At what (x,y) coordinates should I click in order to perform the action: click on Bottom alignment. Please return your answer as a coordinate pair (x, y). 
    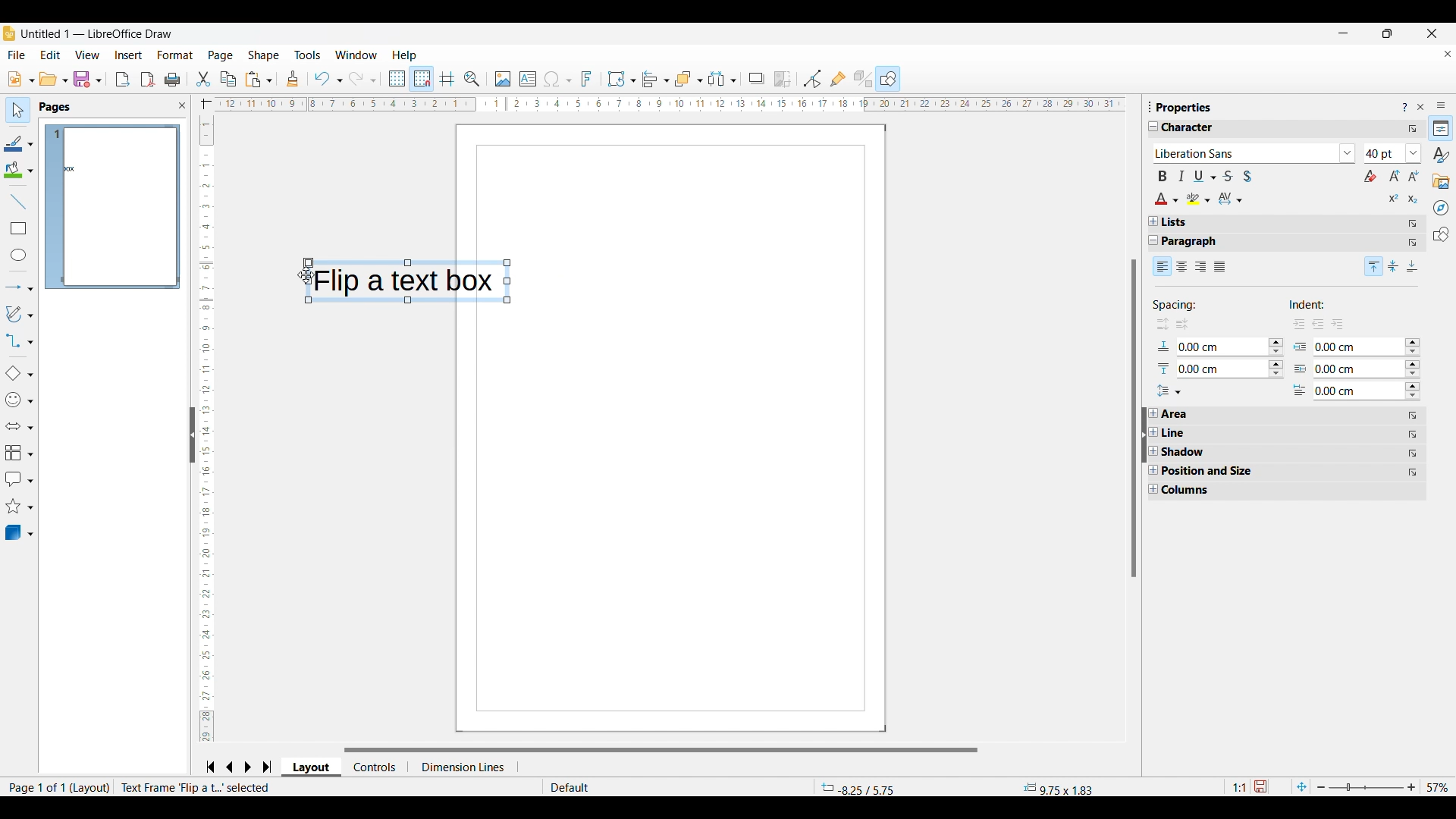
    Looking at the image, I should click on (1414, 266).